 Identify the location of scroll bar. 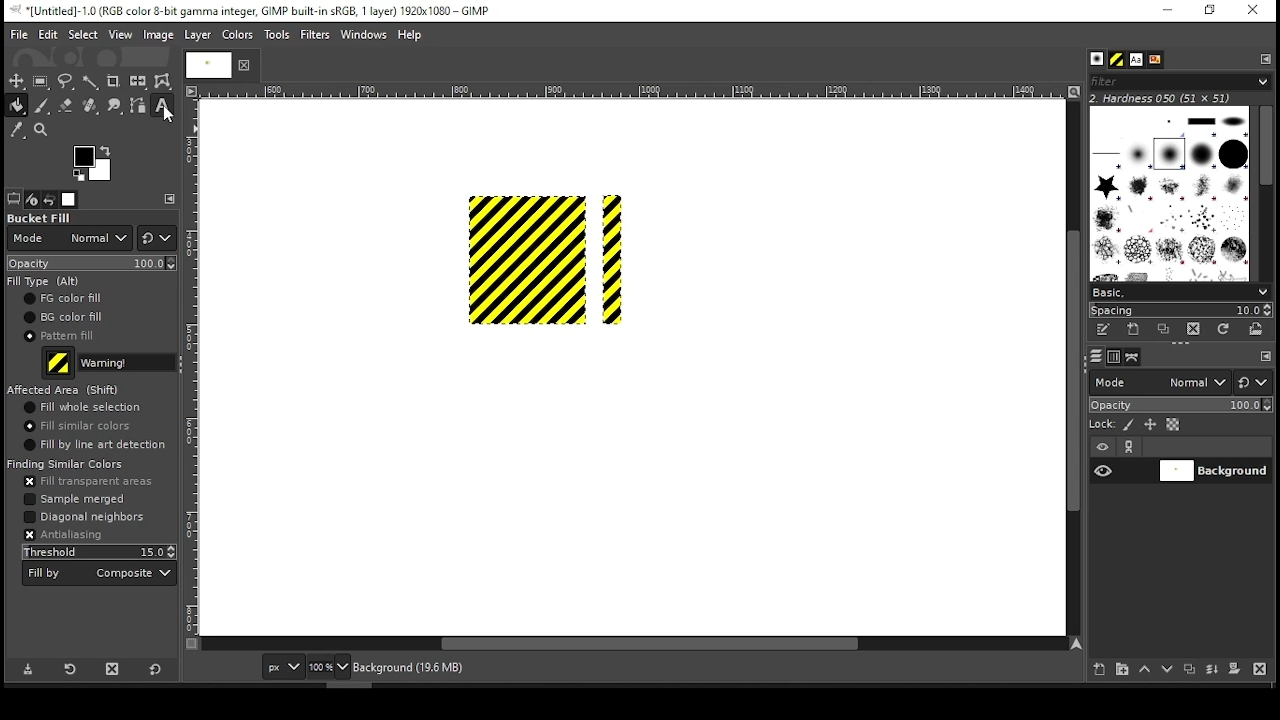
(1265, 192).